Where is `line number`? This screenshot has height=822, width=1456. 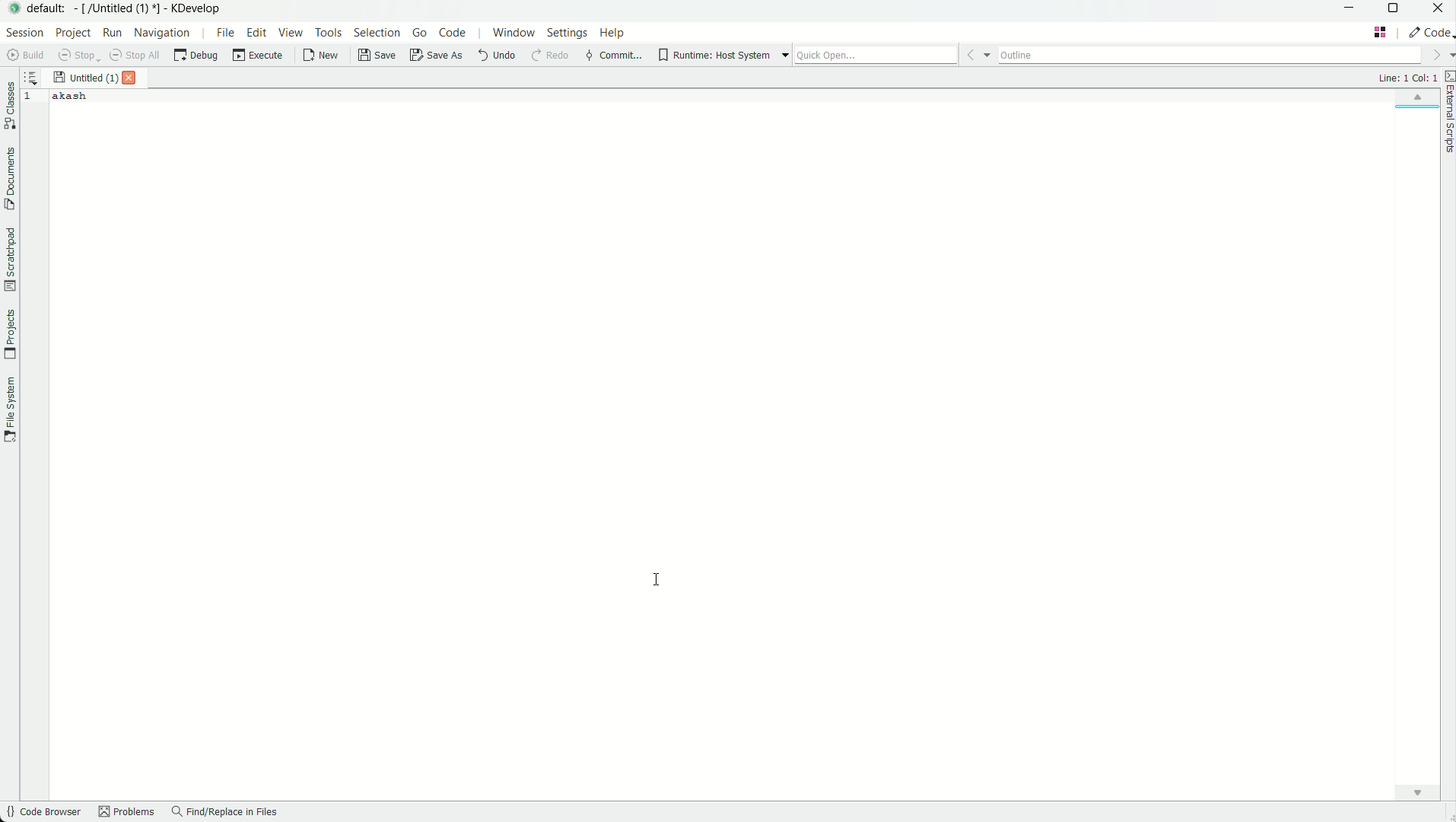
line number is located at coordinates (31, 97).